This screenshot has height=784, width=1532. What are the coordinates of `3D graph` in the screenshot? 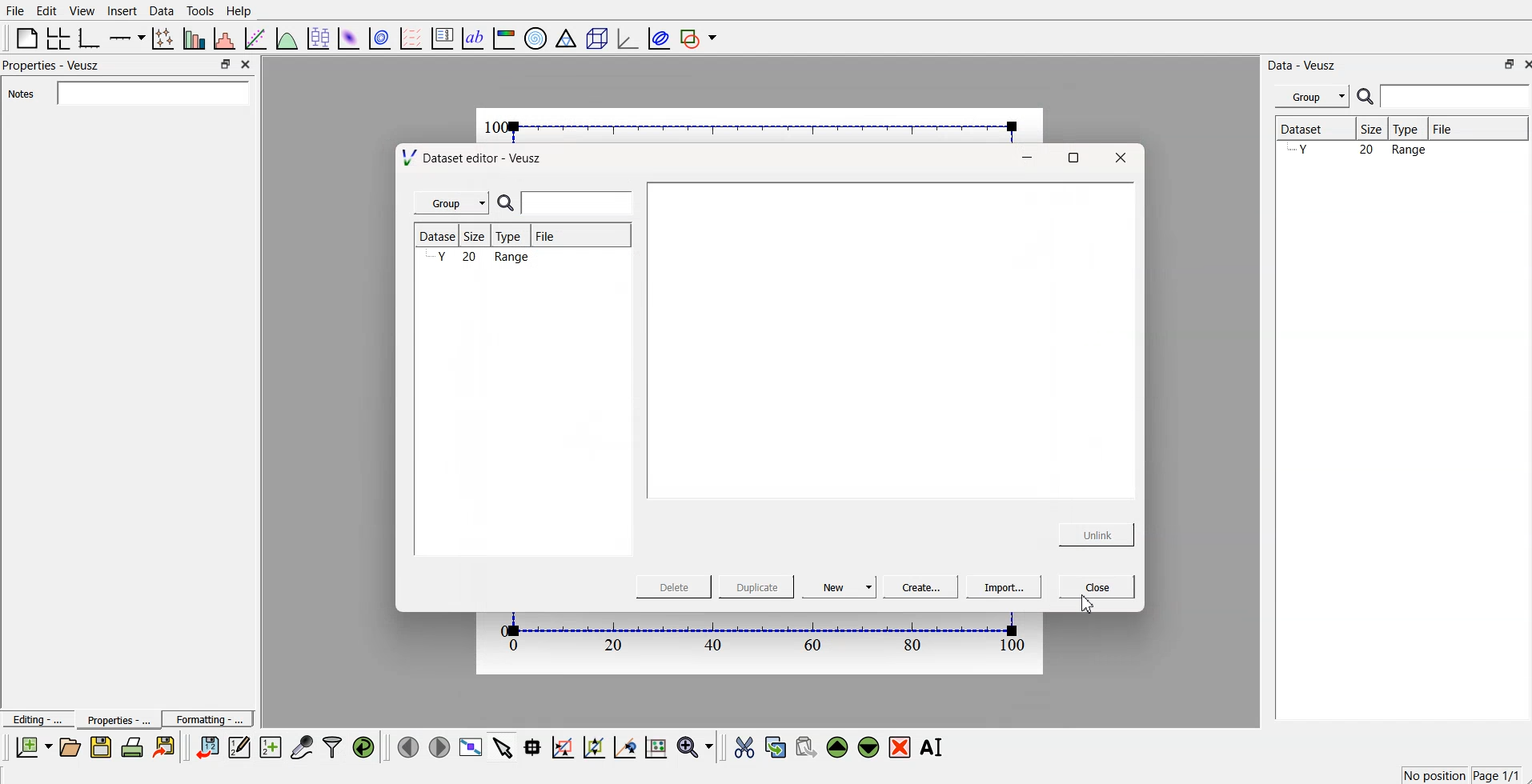 It's located at (626, 38).